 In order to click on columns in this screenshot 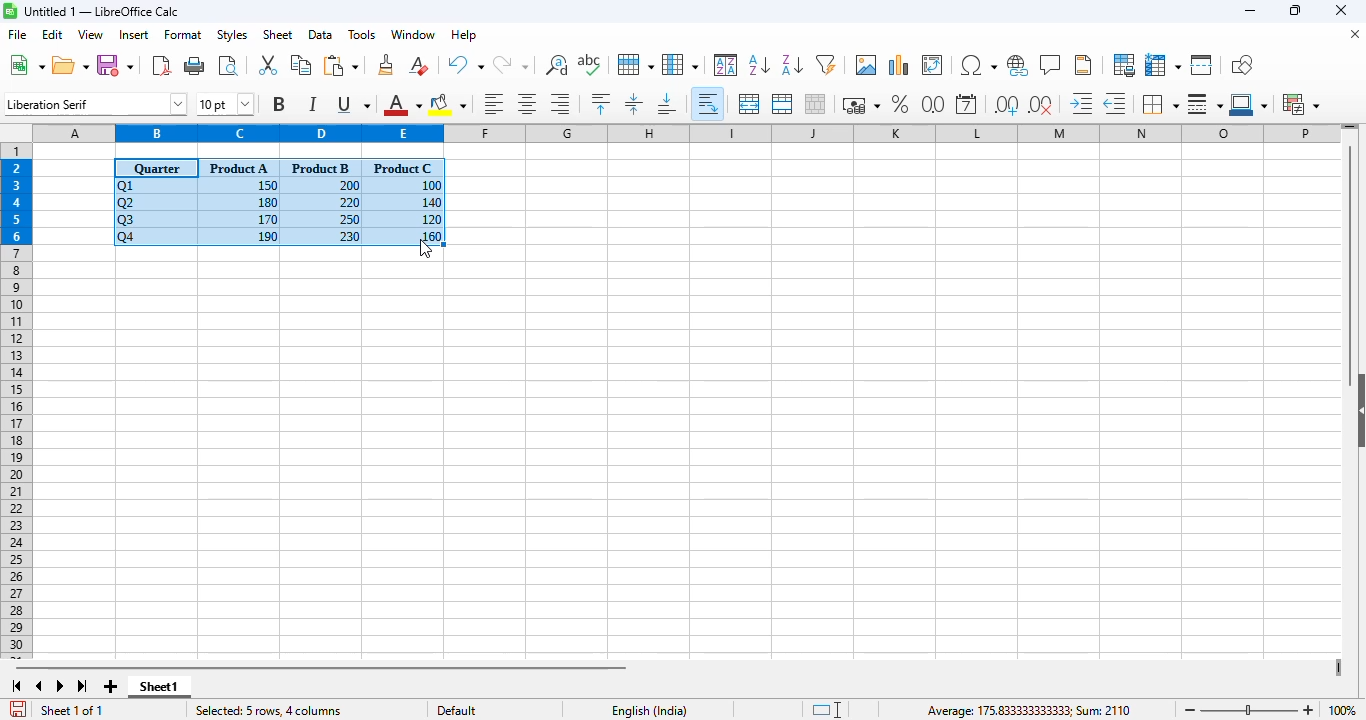, I will do `click(686, 132)`.